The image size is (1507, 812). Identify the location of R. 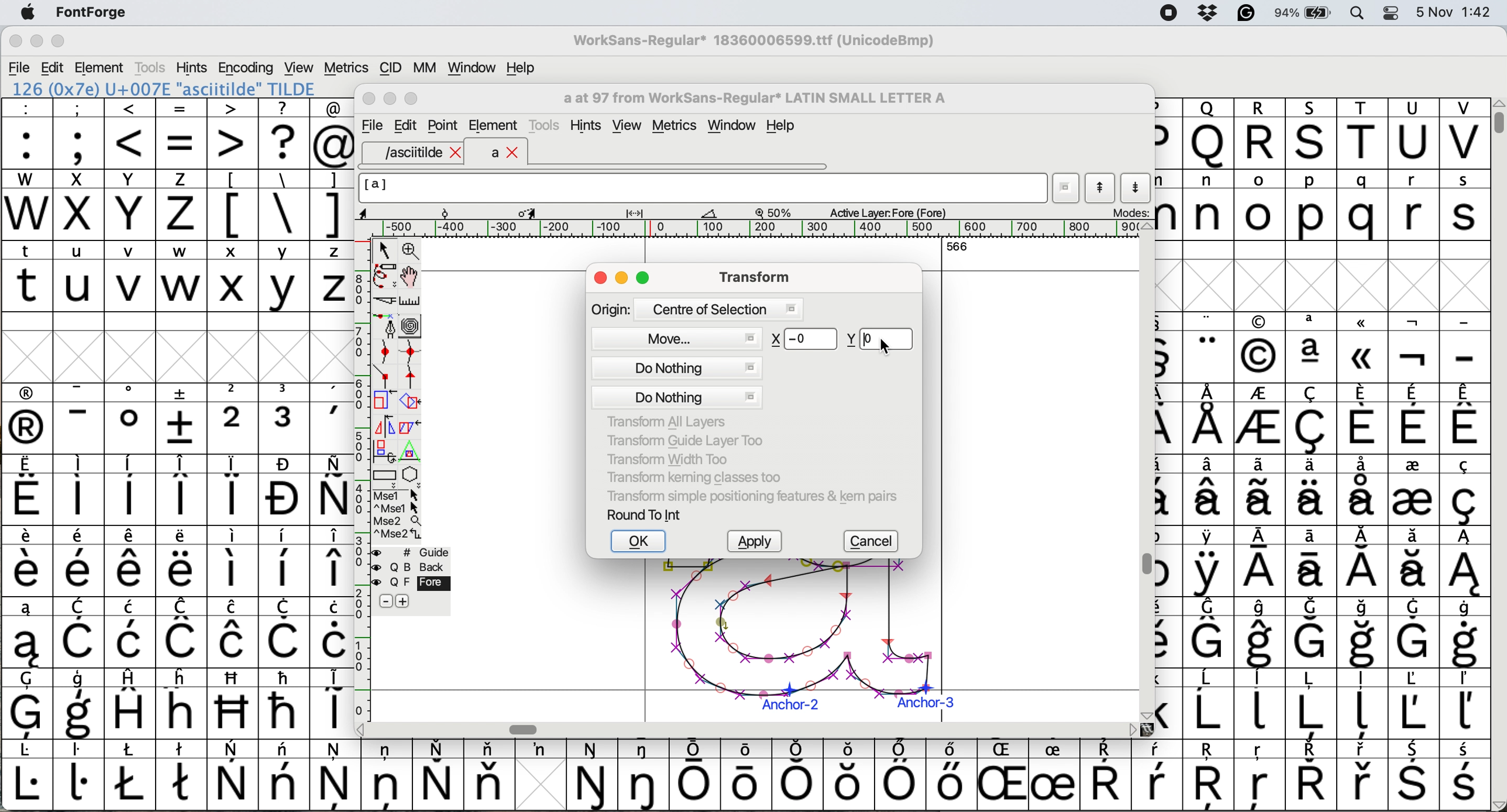
(1260, 134).